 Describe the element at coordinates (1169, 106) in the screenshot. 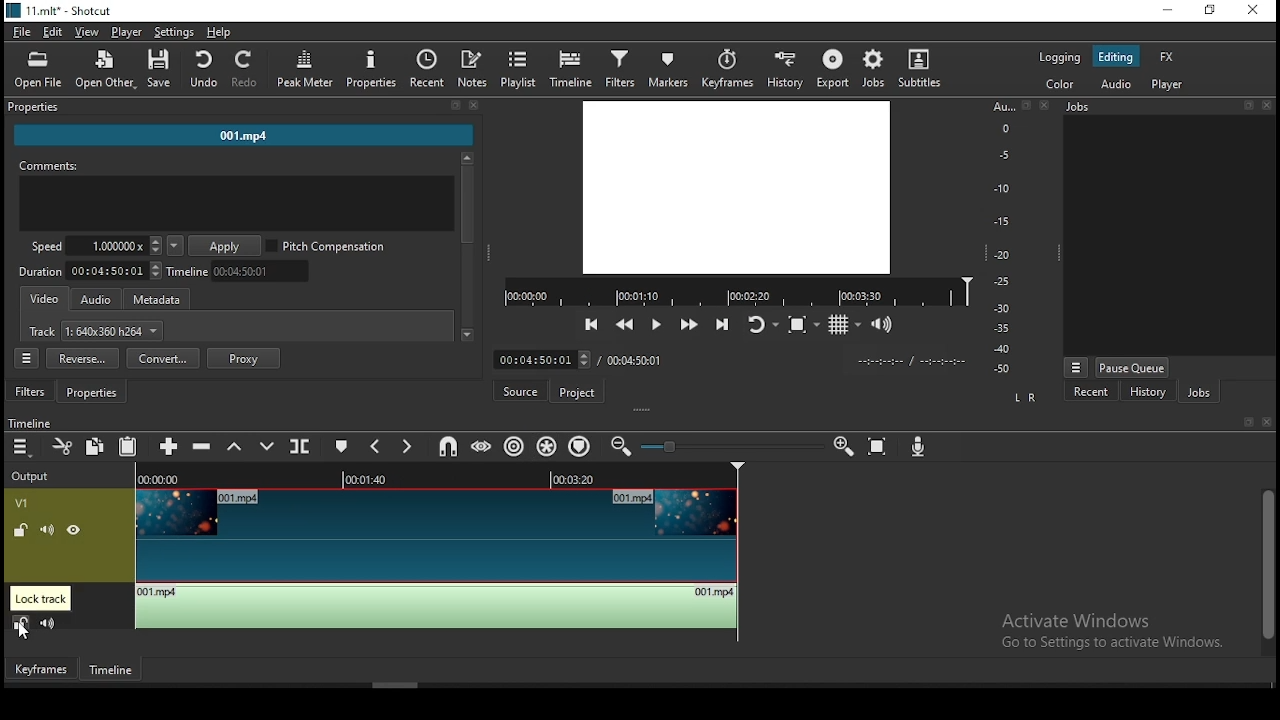

I see `jobs` at that location.